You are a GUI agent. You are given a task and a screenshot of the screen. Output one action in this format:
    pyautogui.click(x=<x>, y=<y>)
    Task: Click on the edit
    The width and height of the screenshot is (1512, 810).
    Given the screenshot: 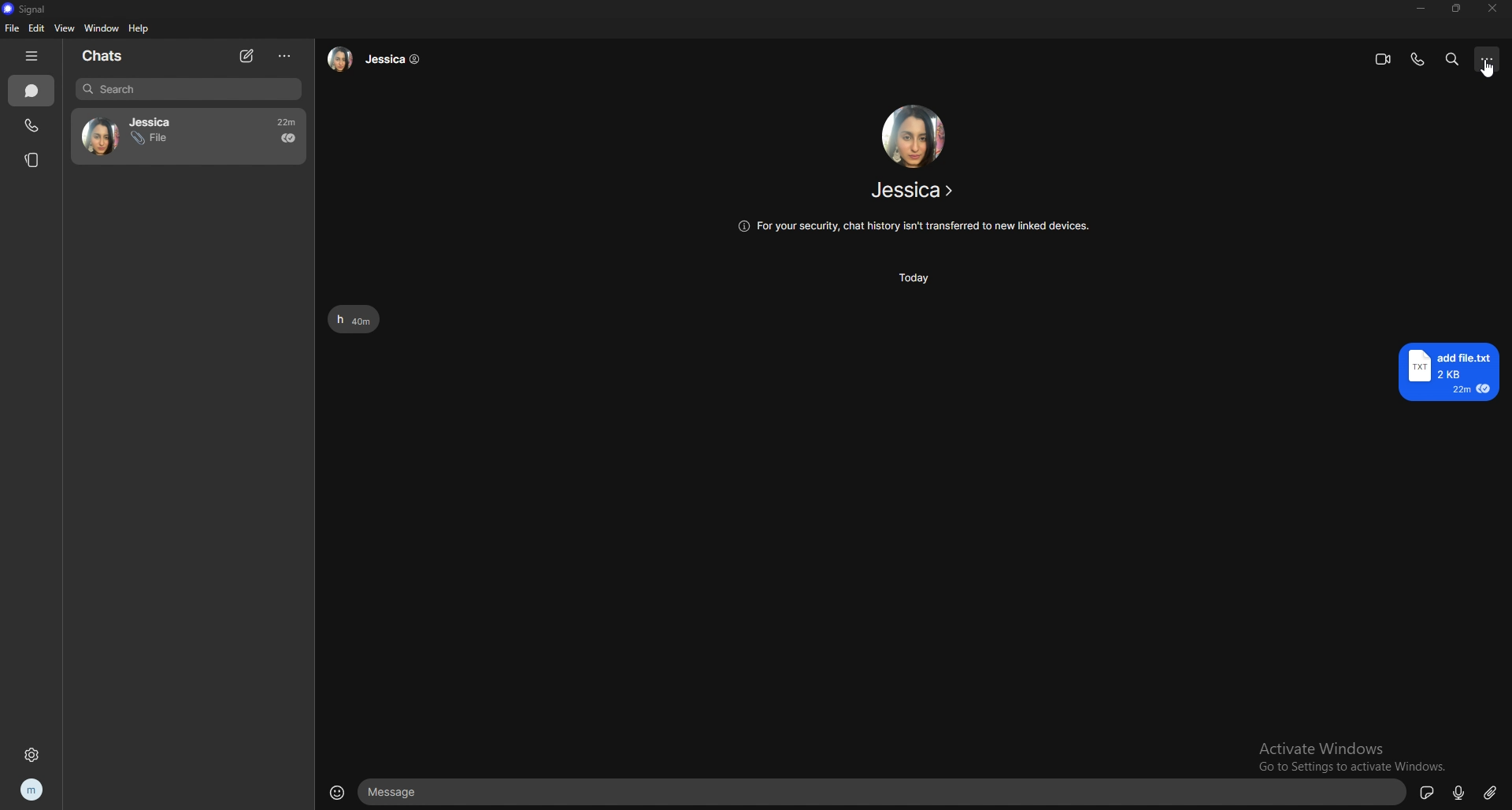 What is the action you would take?
    pyautogui.click(x=36, y=27)
    